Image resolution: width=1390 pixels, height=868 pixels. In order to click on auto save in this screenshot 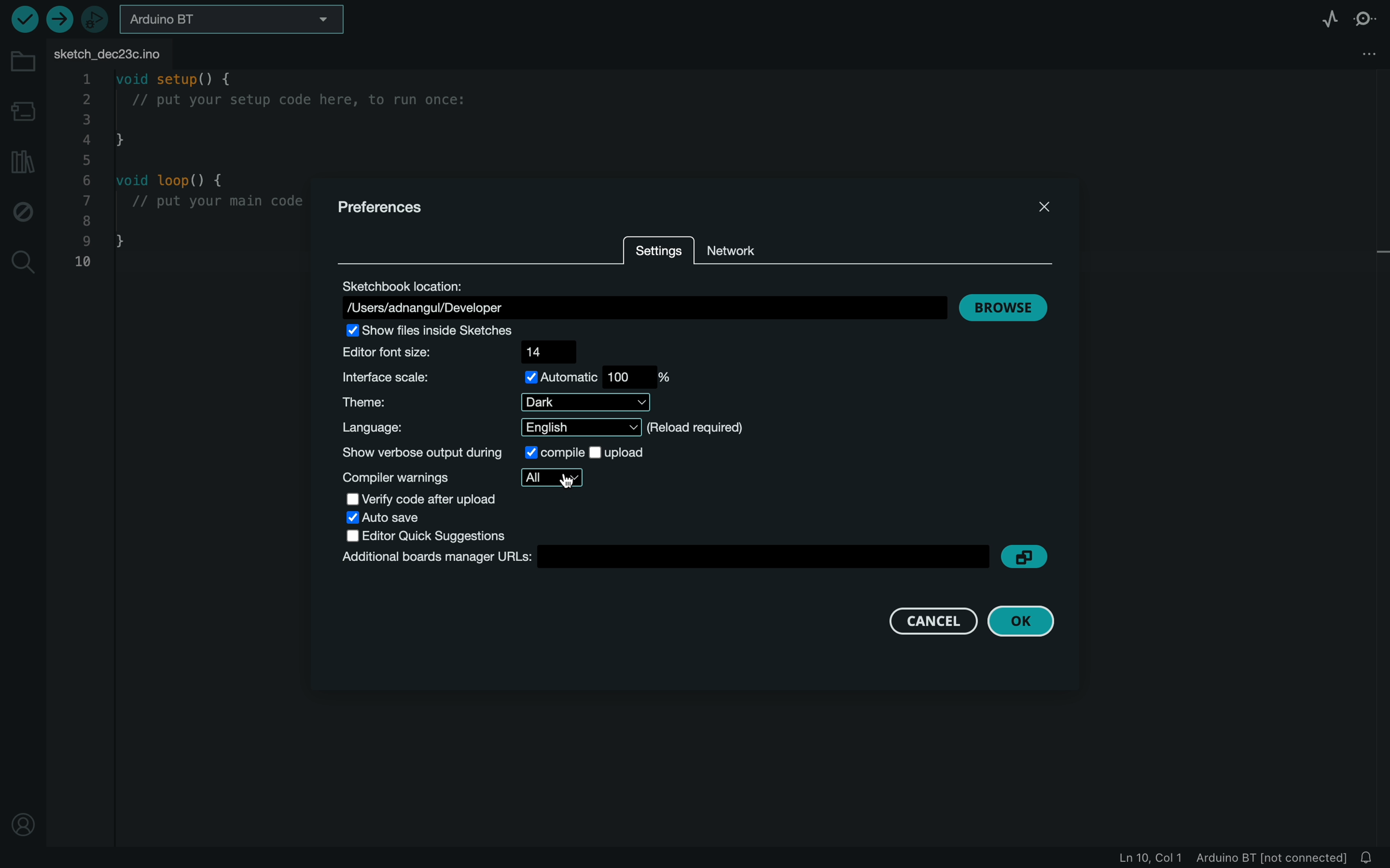, I will do `click(397, 518)`.